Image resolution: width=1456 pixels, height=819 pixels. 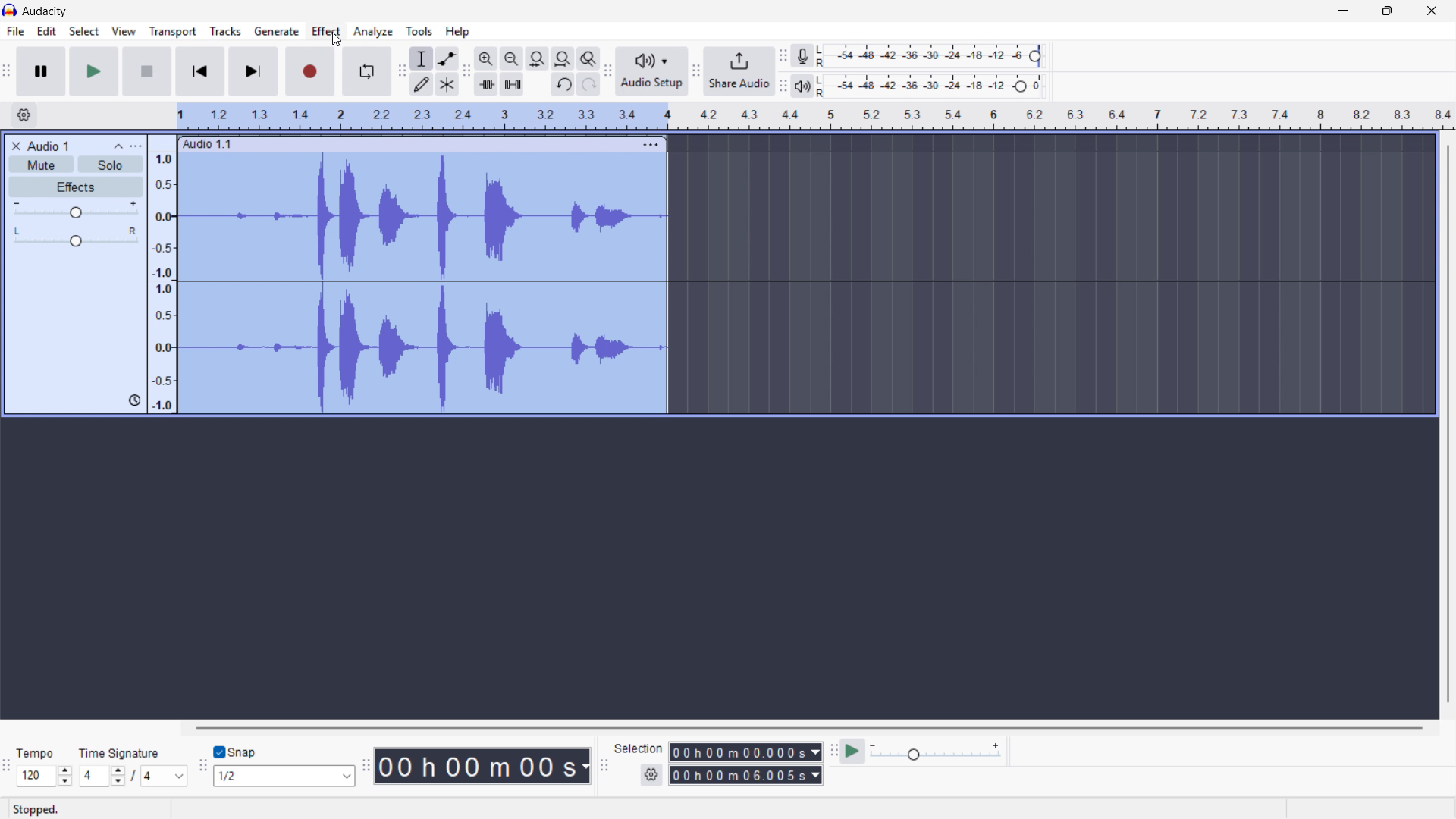 I want to click on Timeline, so click(x=816, y=116).